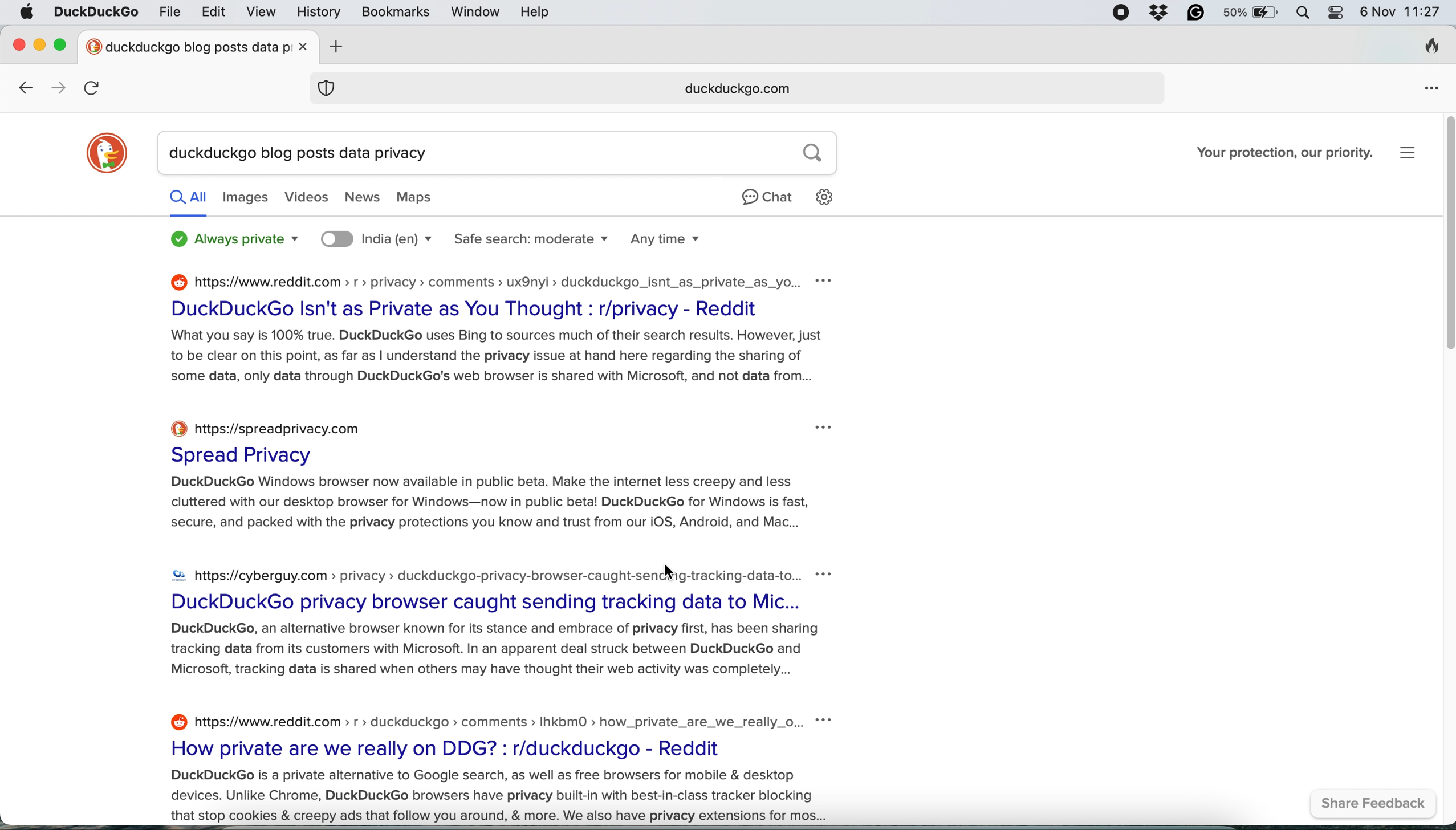 This screenshot has width=1456, height=830. I want to click on close, so click(302, 49).